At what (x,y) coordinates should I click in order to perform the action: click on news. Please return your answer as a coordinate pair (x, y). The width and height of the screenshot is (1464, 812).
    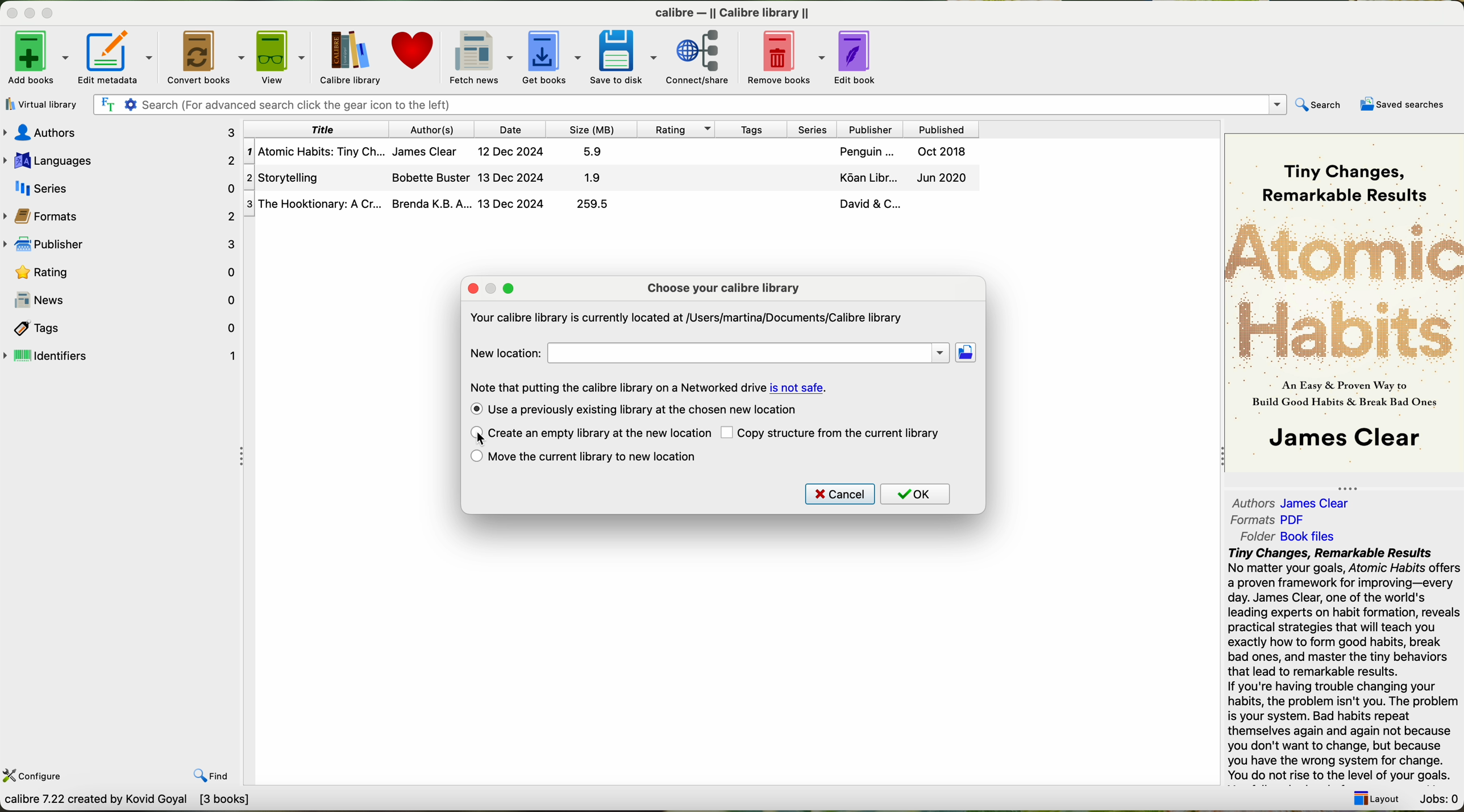
    Looking at the image, I should click on (121, 300).